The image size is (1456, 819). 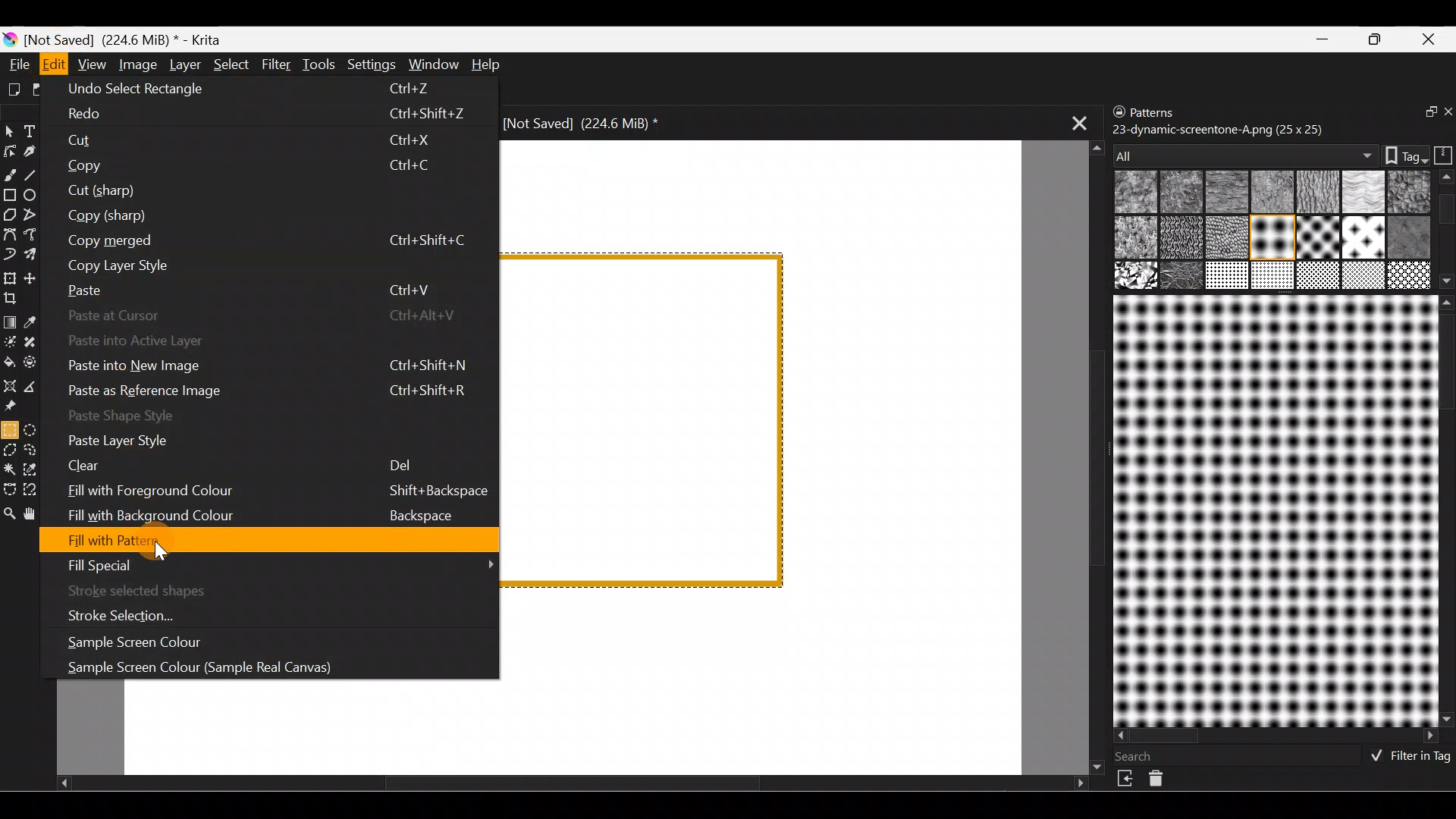 What do you see at coordinates (11, 470) in the screenshot?
I see `Contiguous selection tool` at bounding box center [11, 470].